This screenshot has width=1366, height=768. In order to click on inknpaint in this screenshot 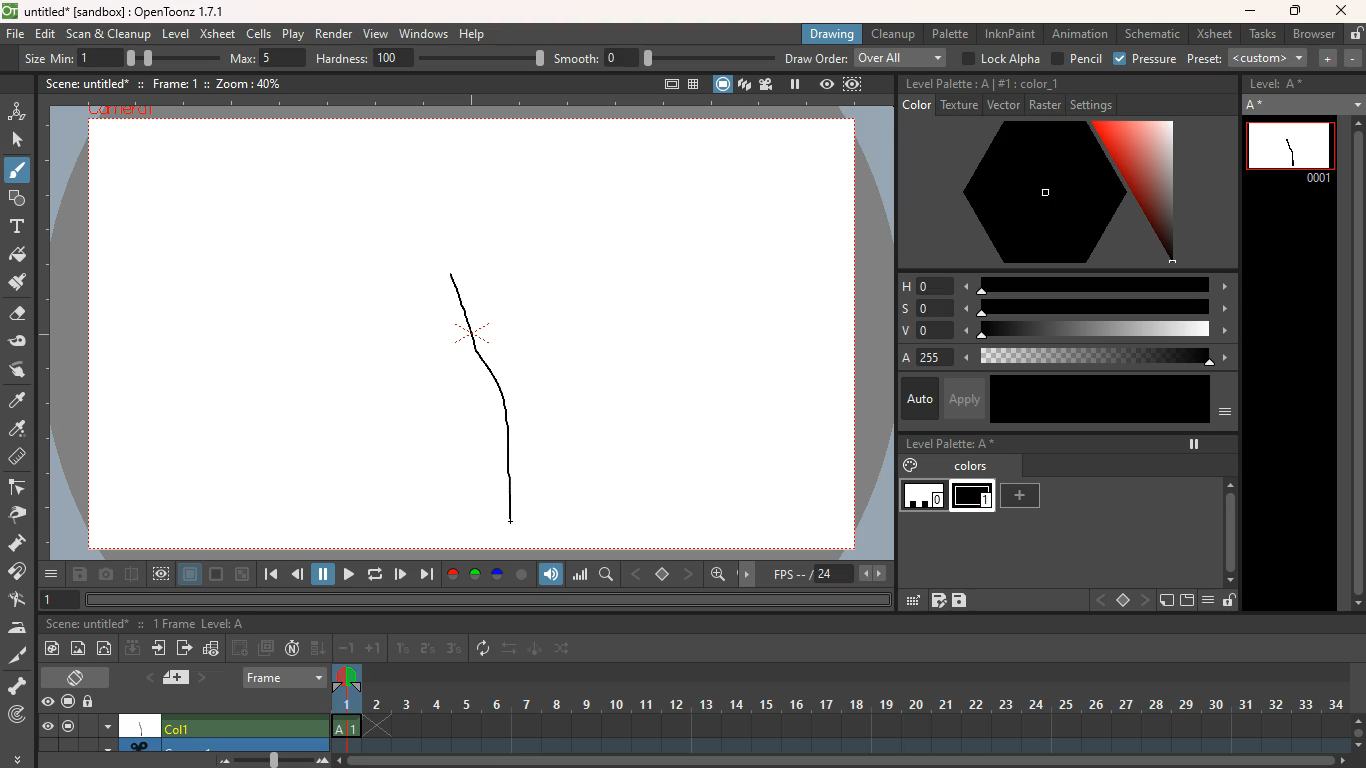, I will do `click(1010, 34)`.